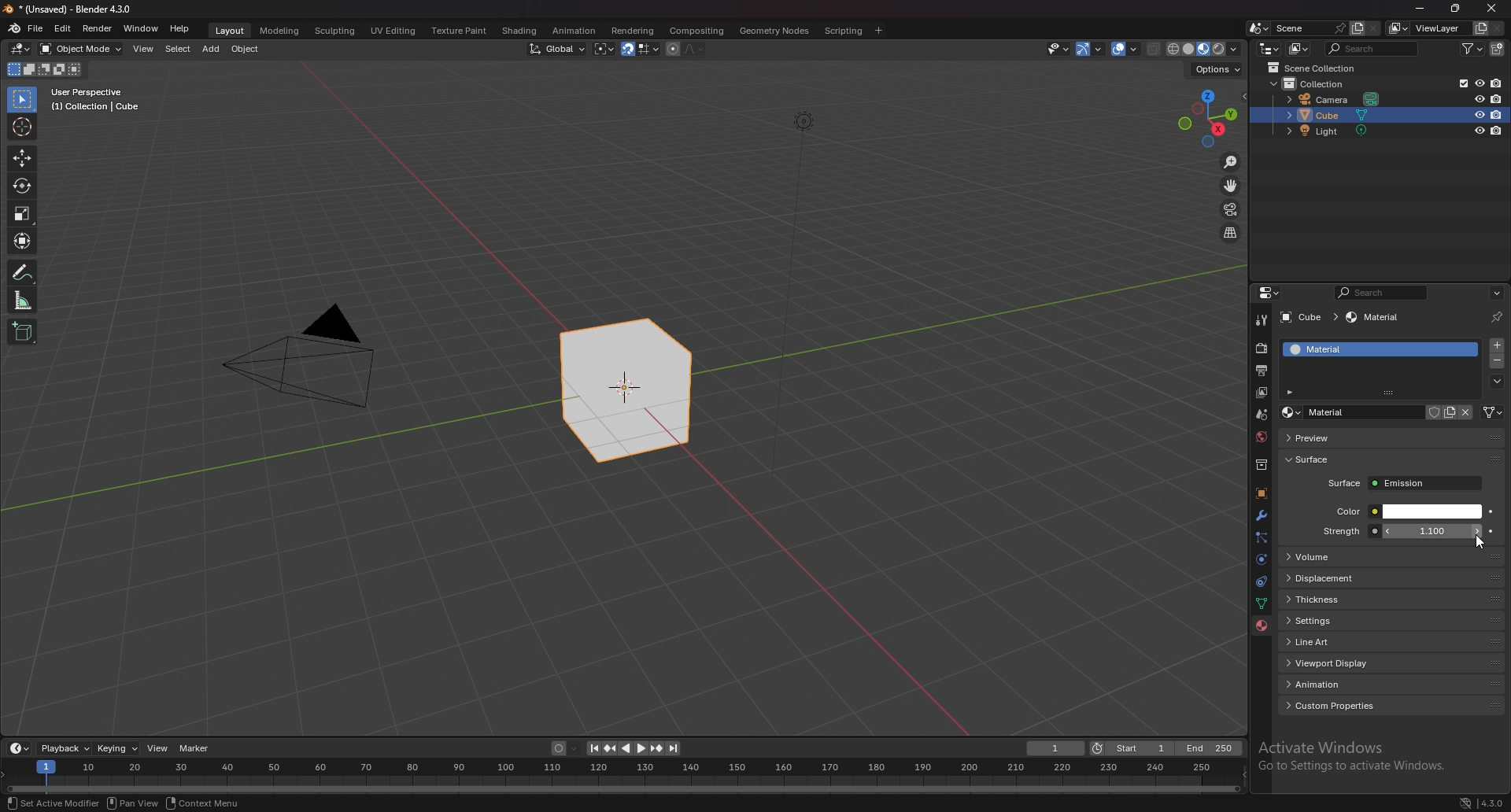 The image size is (1511, 812). What do you see at coordinates (1491, 531) in the screenshot?
I see `animate property` at bounding box center [1491, 531].